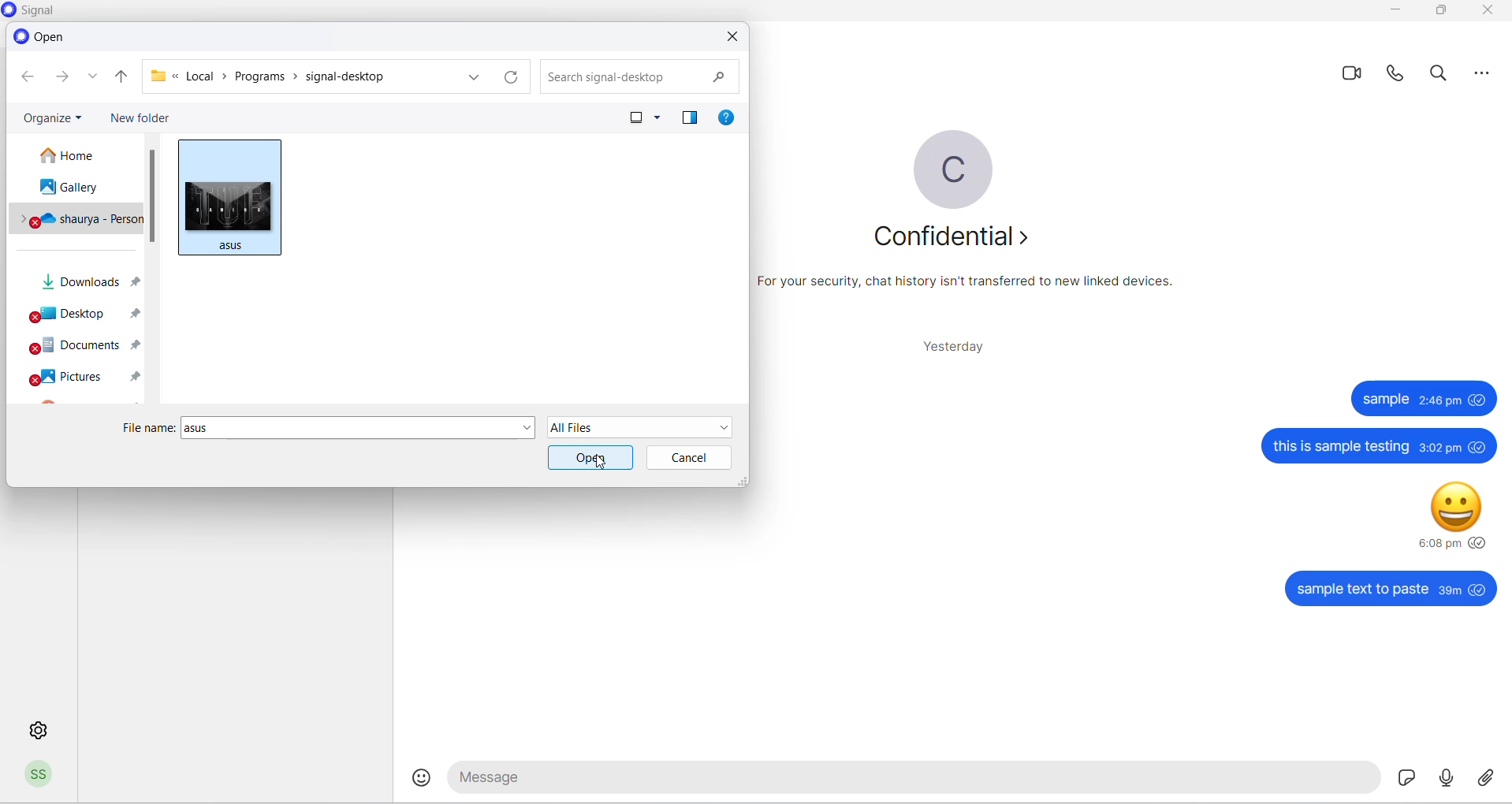  Describe the element at coordinates (1479, 446) in the screenshot. I see `seen` at that location.